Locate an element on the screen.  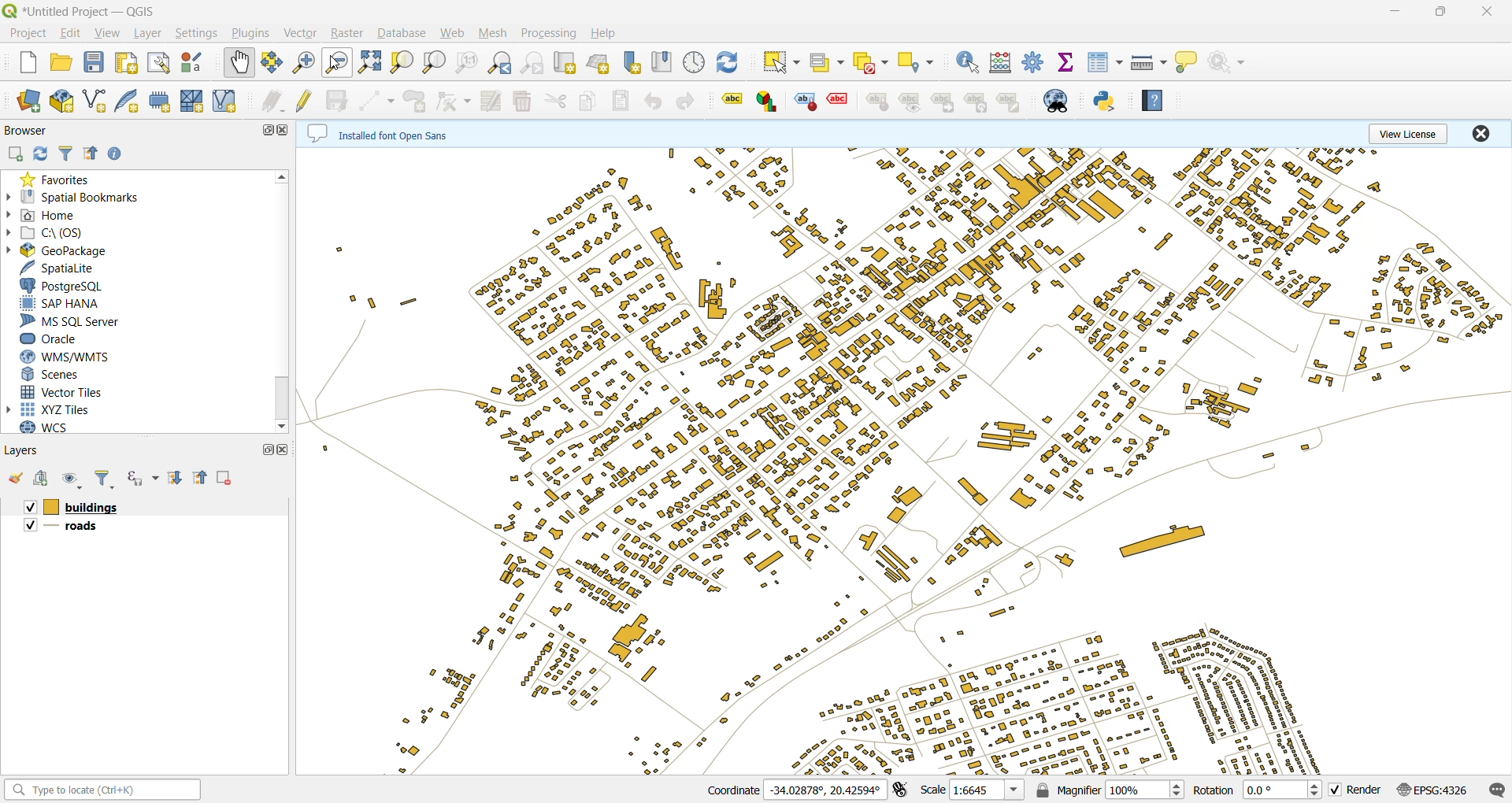
wms/wmts is located at coordinates (76, 356).